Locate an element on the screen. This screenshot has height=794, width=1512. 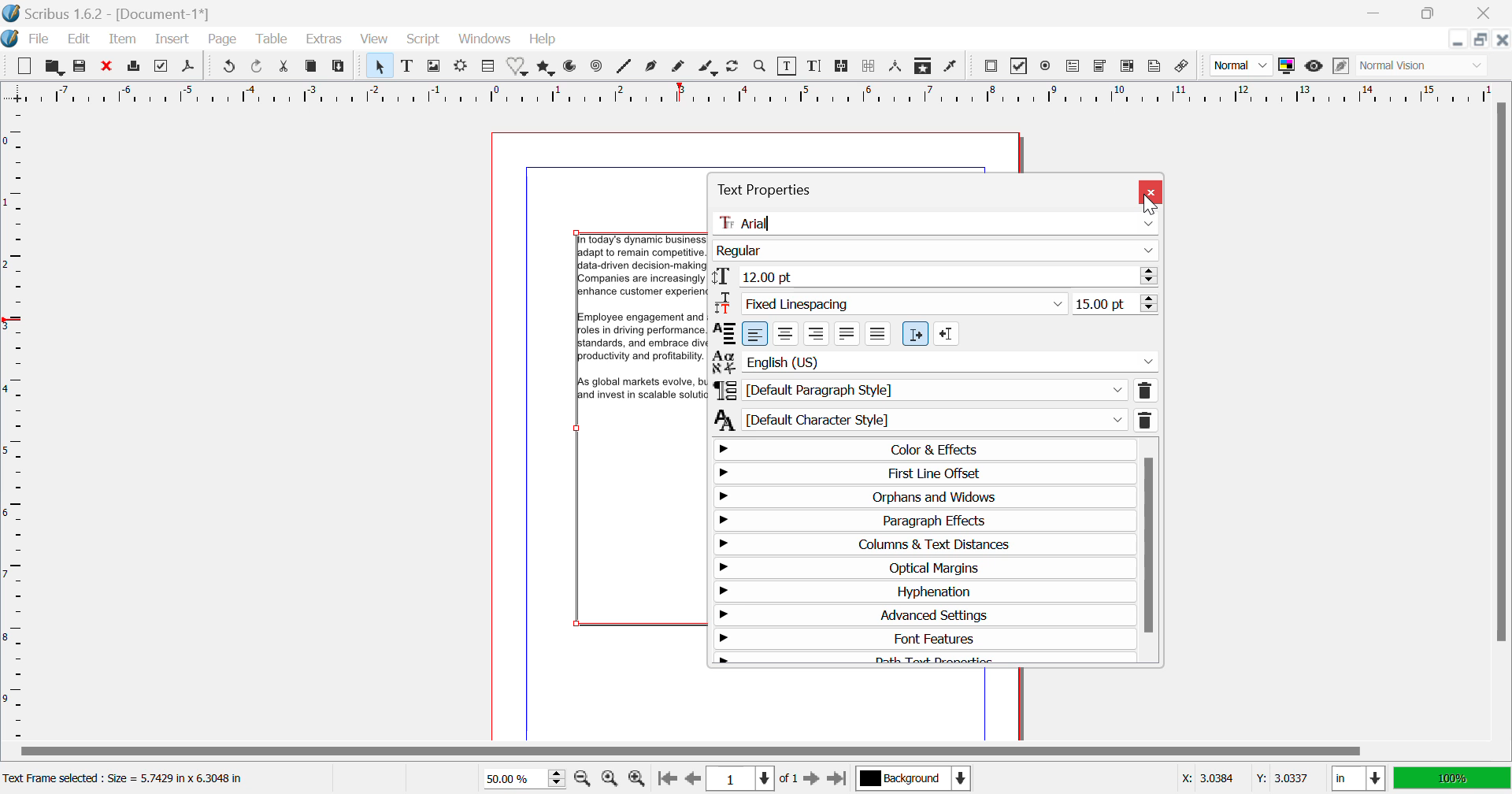
Close is located at coordinates (1485, 13).